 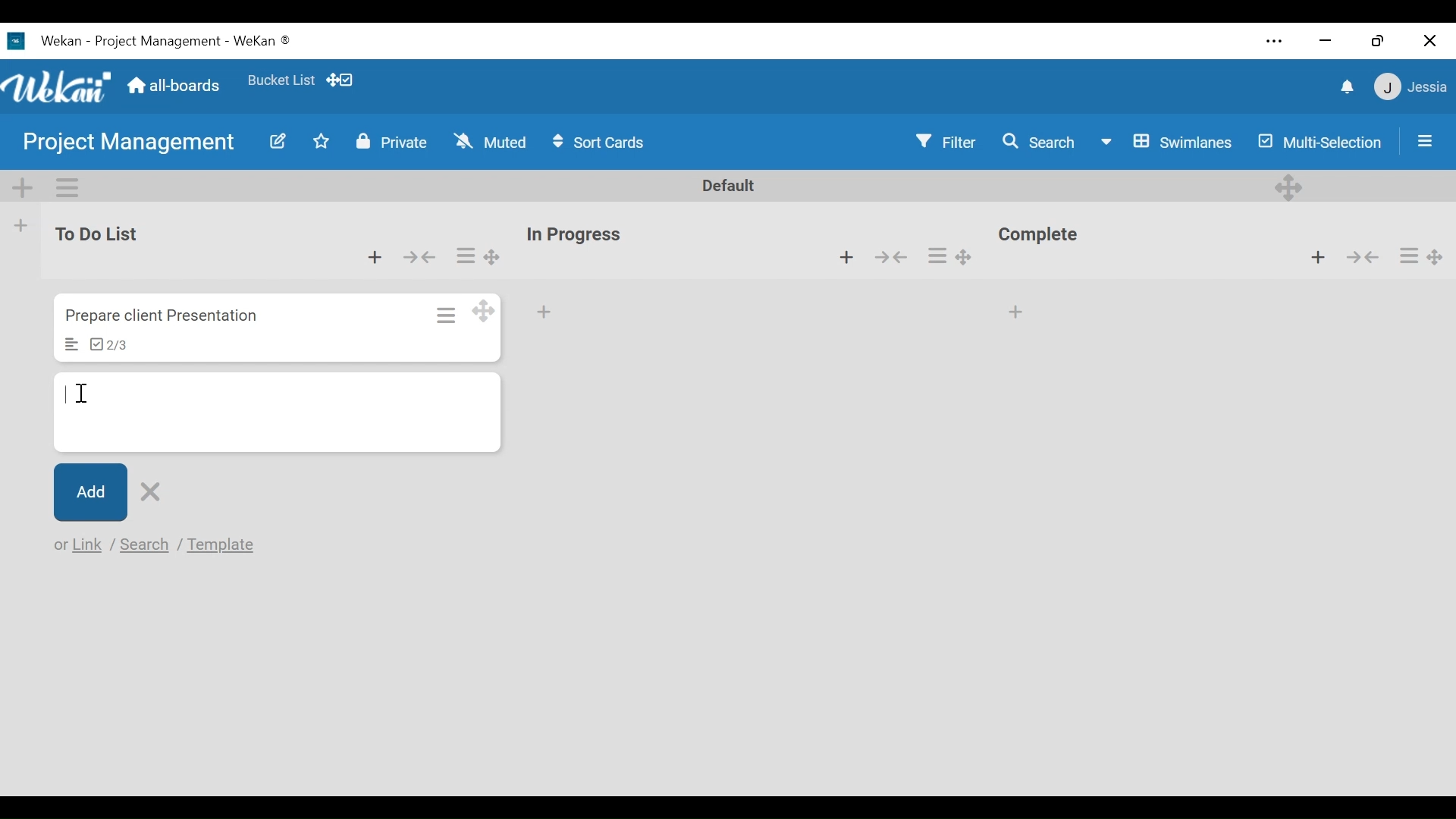 I want to click on or Link/search/Template, so click(x=158, y=546).